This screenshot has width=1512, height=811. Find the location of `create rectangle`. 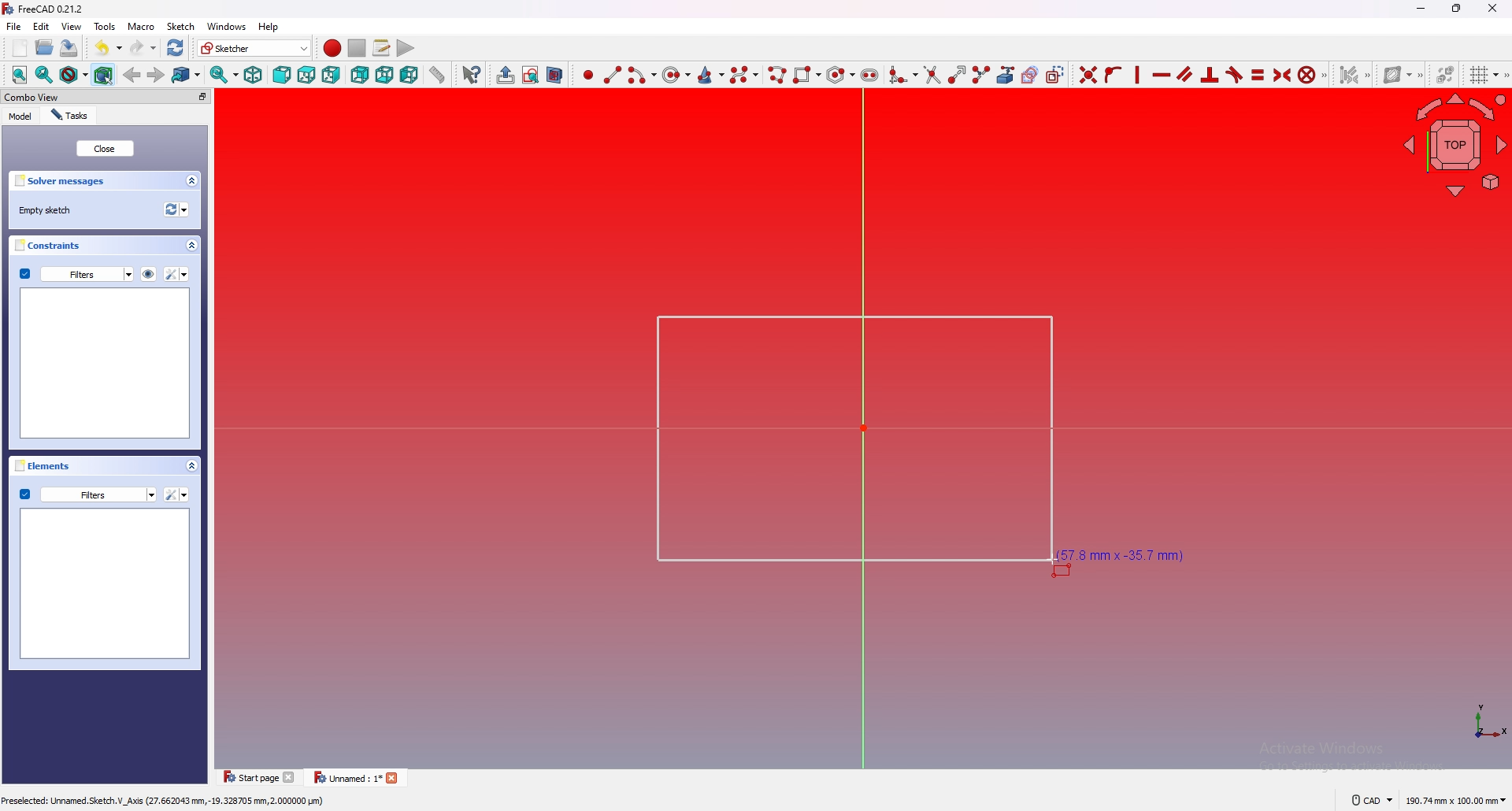

create rectangle is located at coordinates (807, 74).